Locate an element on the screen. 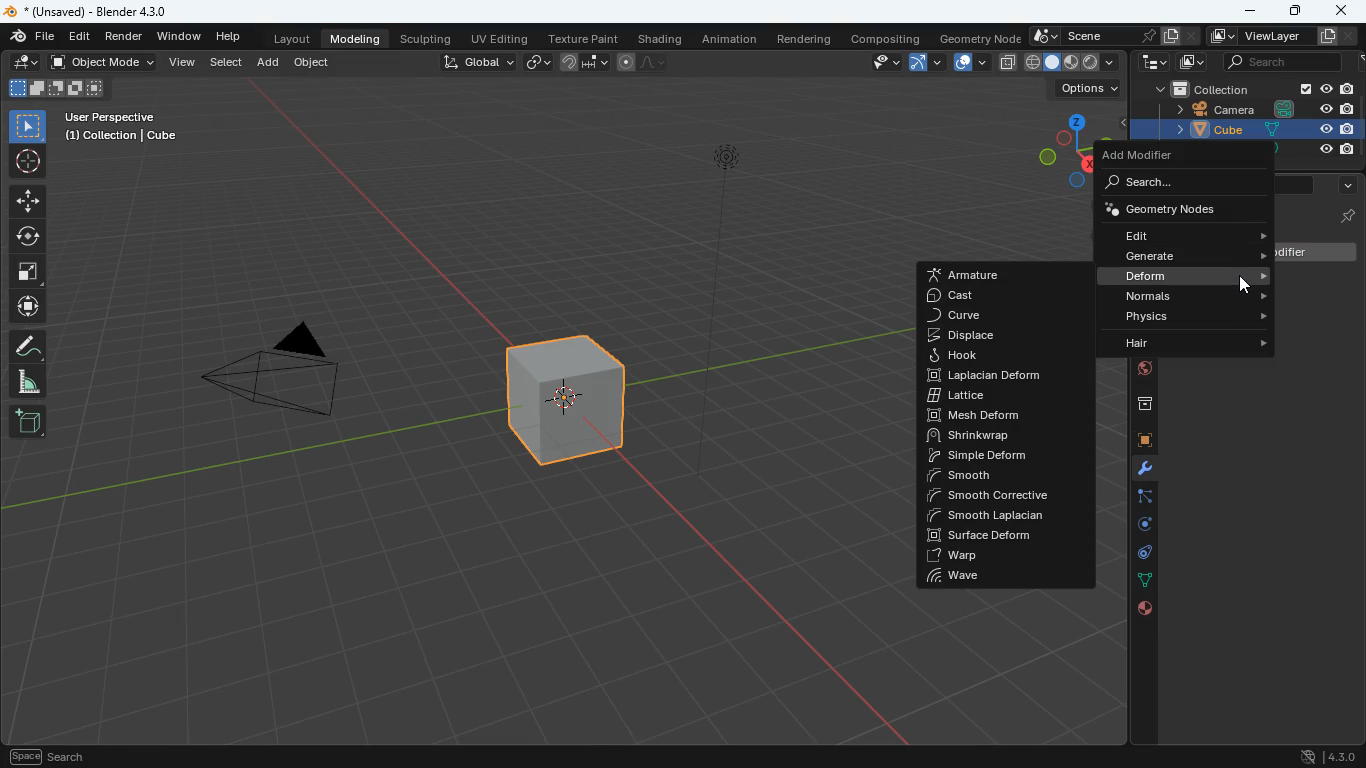  cursor is located at coordinates (1251, 286).